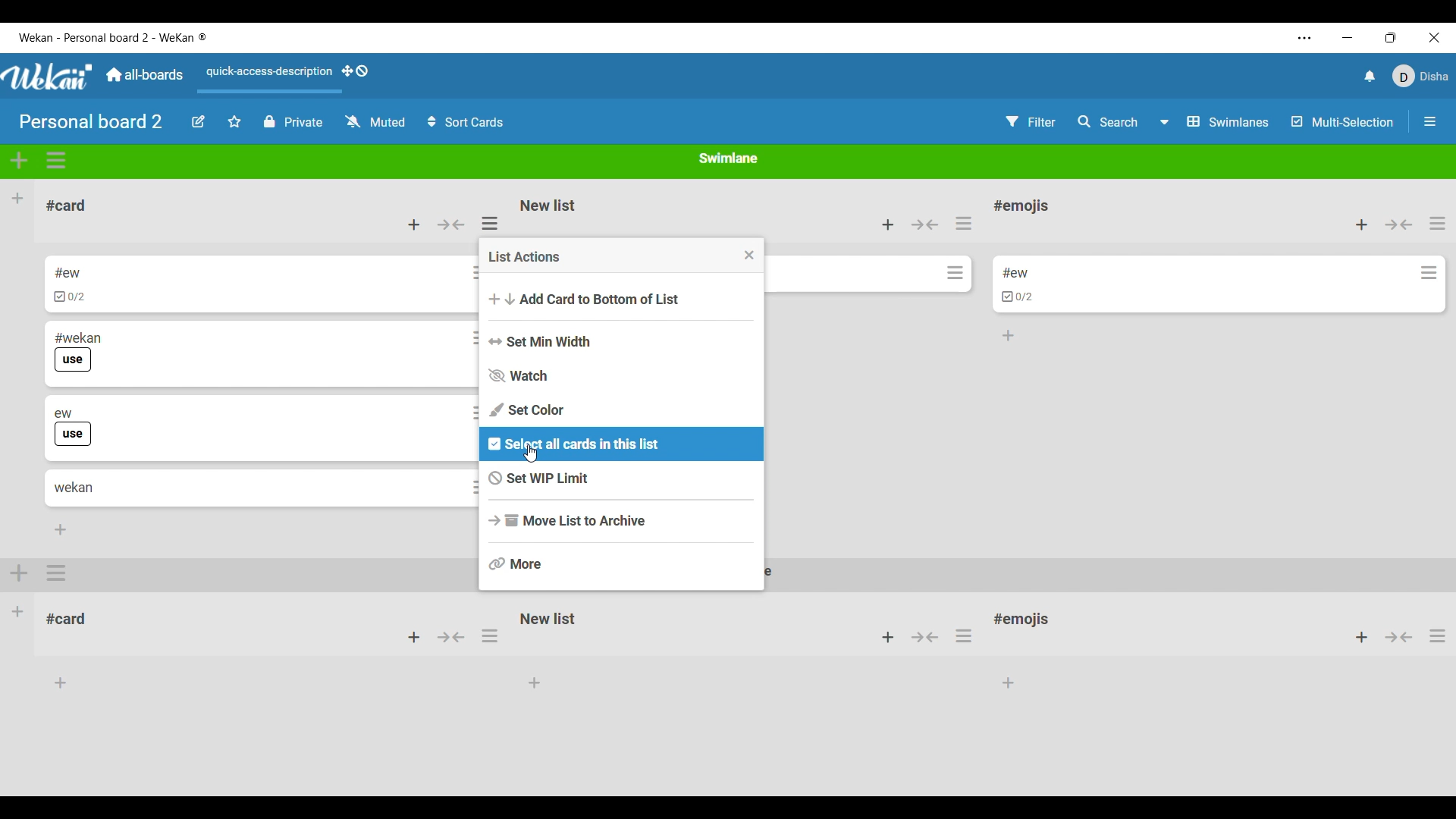 This screenshot has width=1456, height=819. I want to click on Card name and label, so click(77, 351).